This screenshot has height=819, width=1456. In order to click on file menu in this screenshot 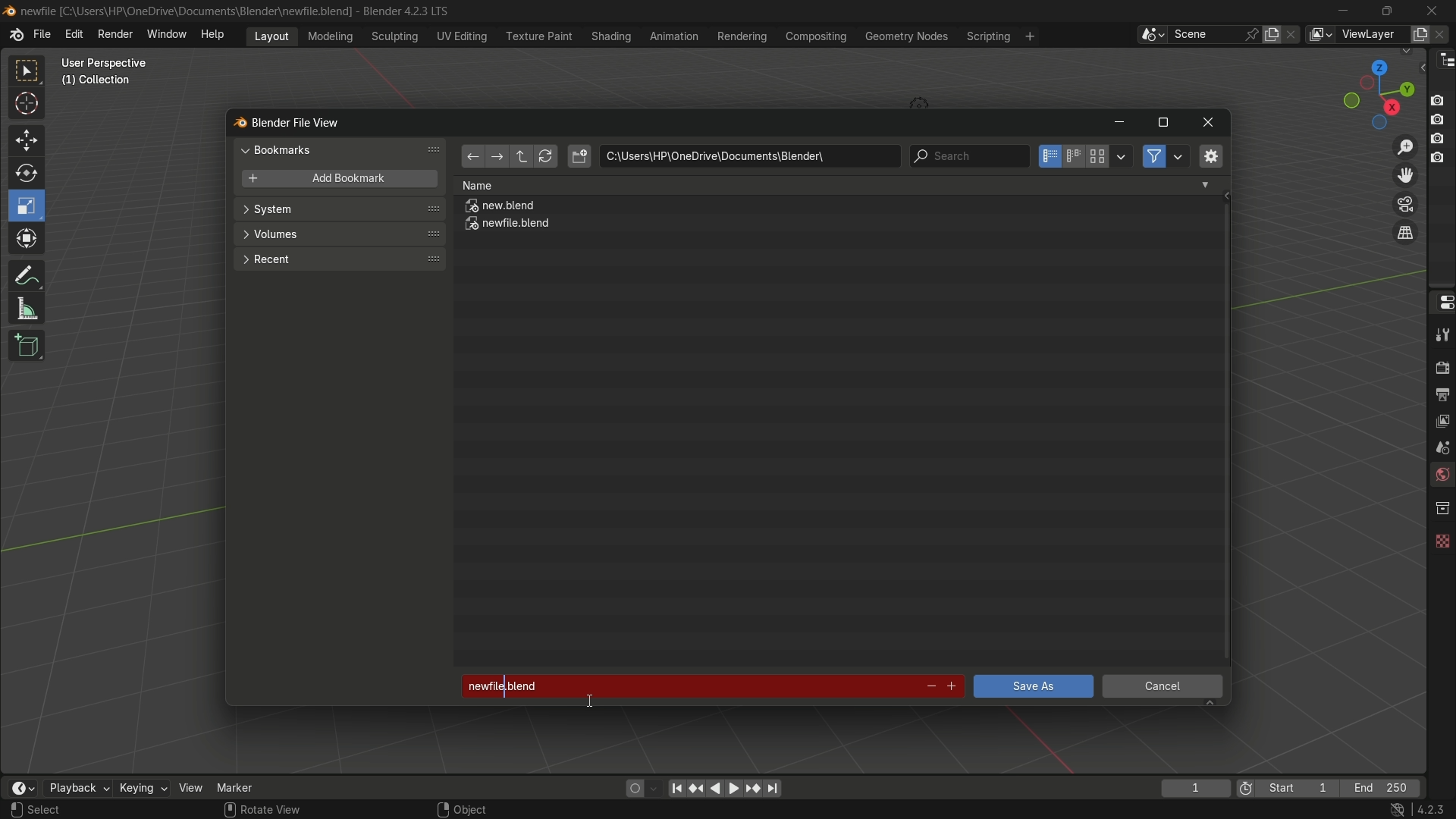, I will do `click(42, 35)`.